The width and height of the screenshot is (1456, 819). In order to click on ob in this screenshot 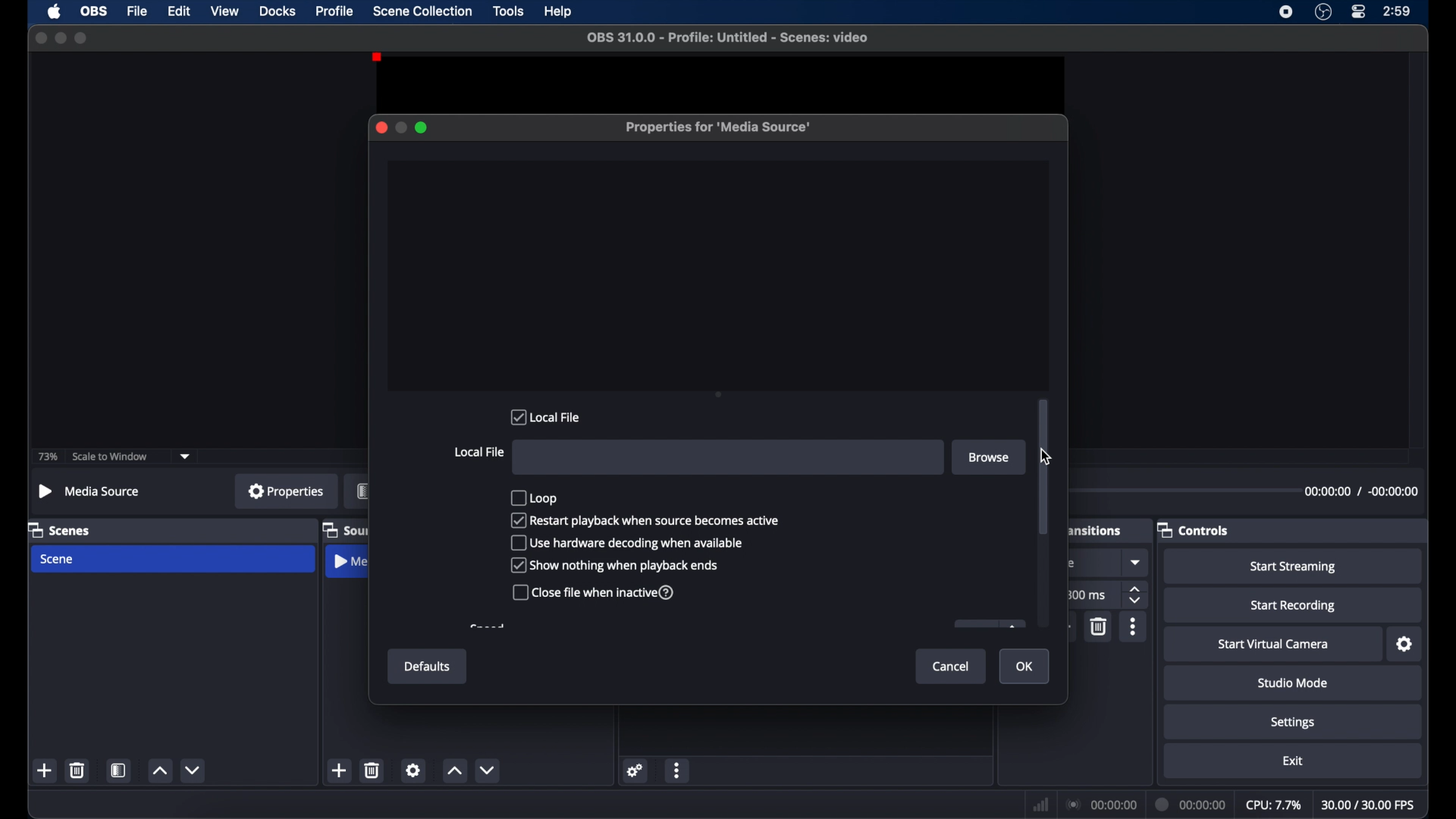, I will do `click(96, 11)`.